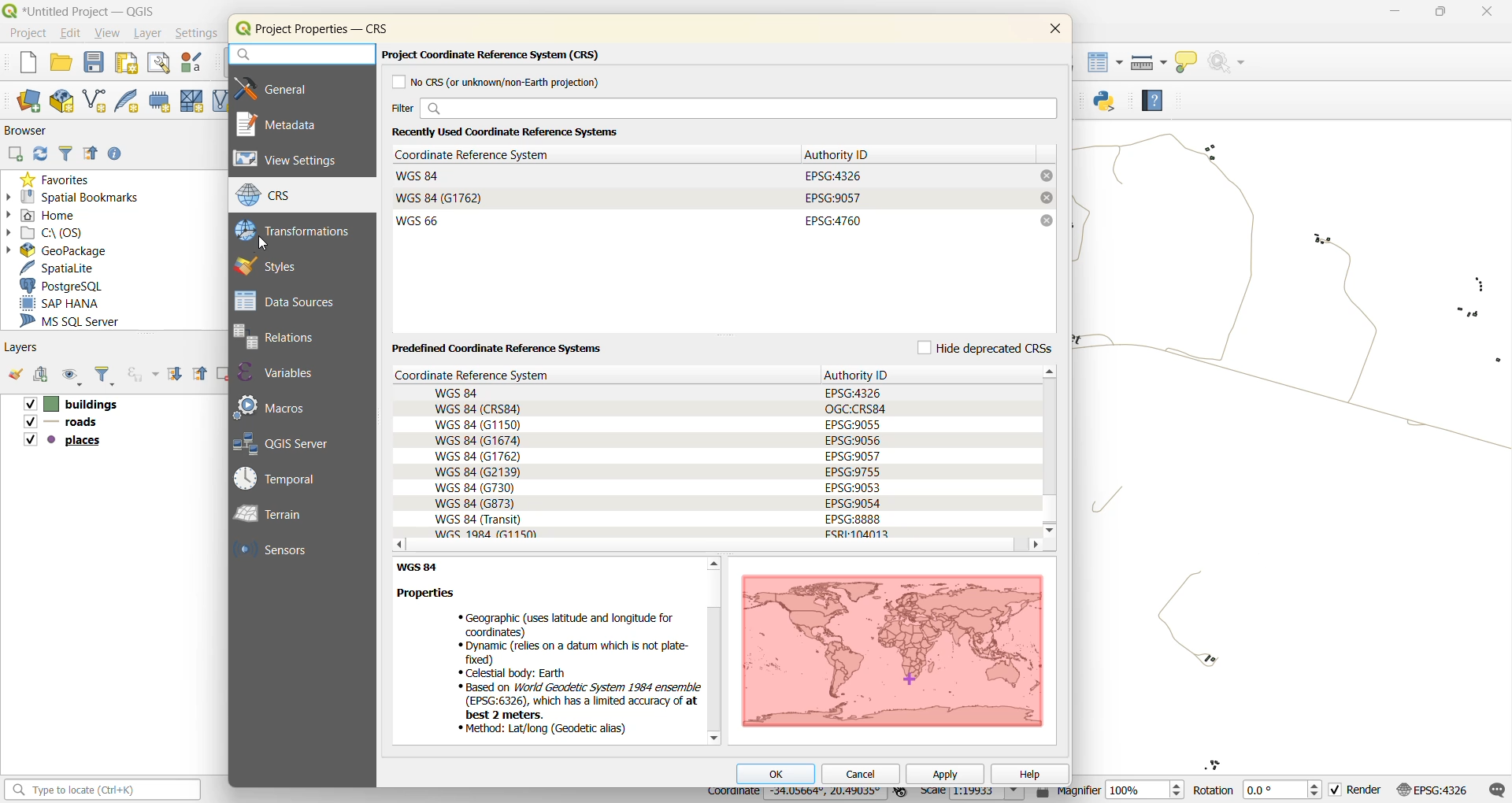 The height and width of the screenshot is (803, 1512). Describe the element at coordinates (9, 10) in the screenshot. I see `logo` at that location.